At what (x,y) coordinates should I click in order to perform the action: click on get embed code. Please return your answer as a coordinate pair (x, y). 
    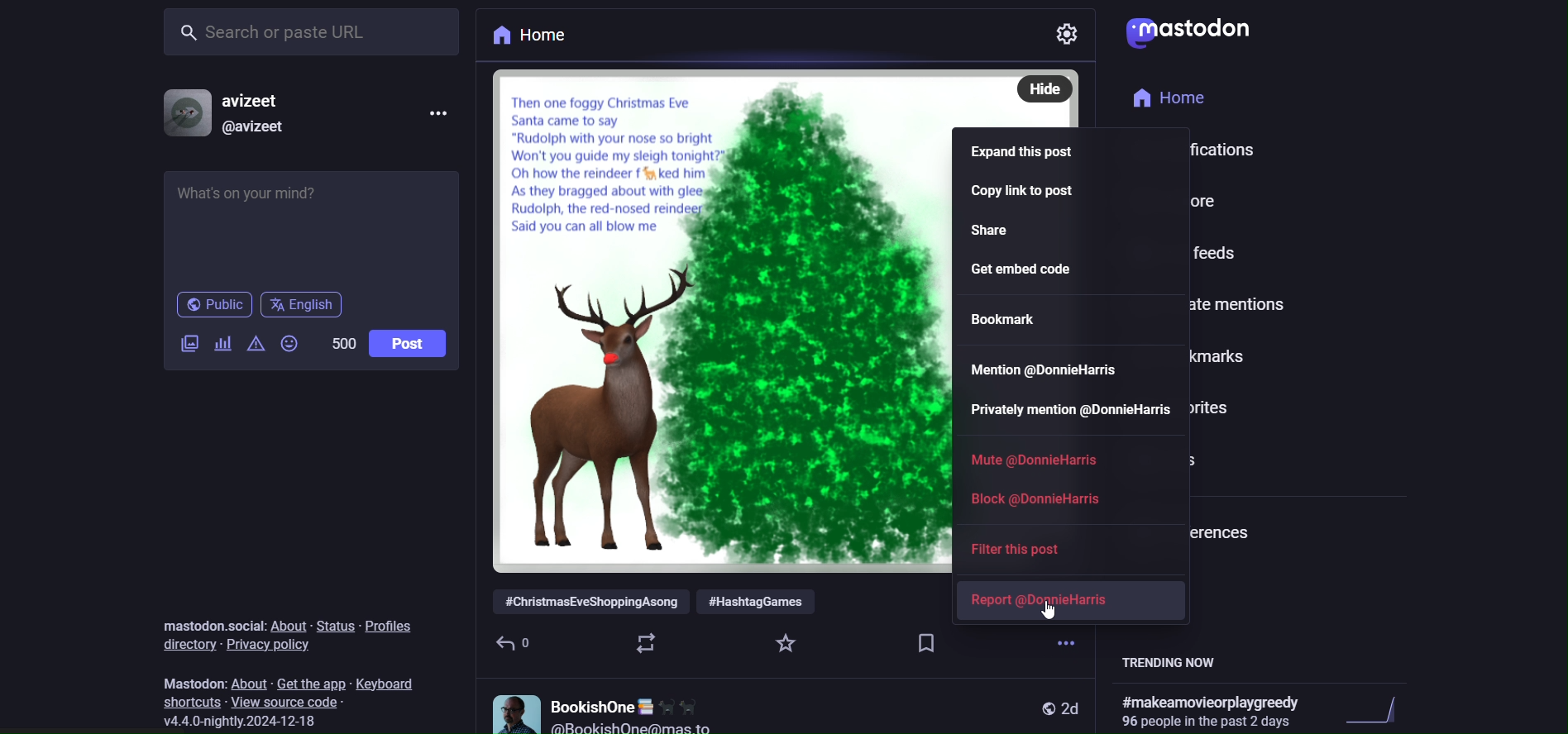
    Looking at the image, I should click on (1049, 269).